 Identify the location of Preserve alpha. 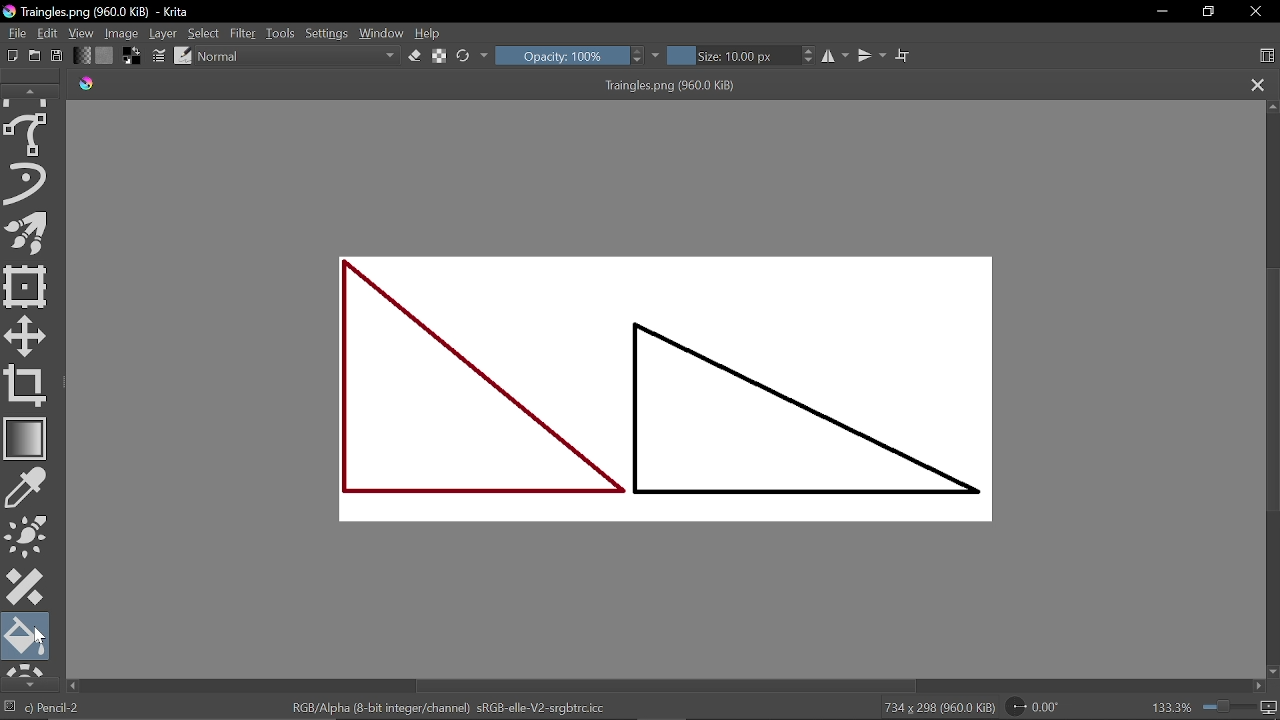
(439, 58).